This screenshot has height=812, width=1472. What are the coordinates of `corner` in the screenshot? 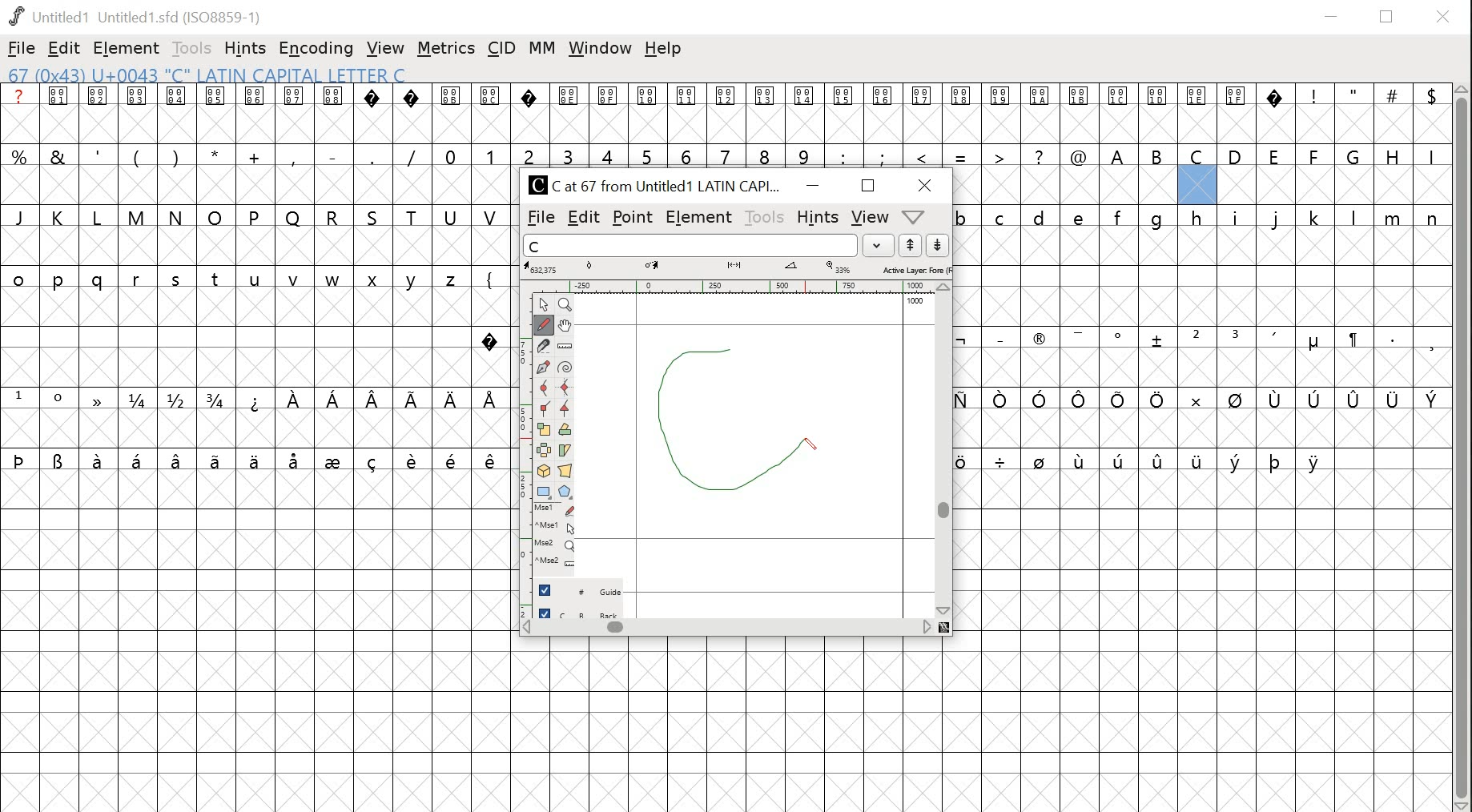 It's located at (546, 409).